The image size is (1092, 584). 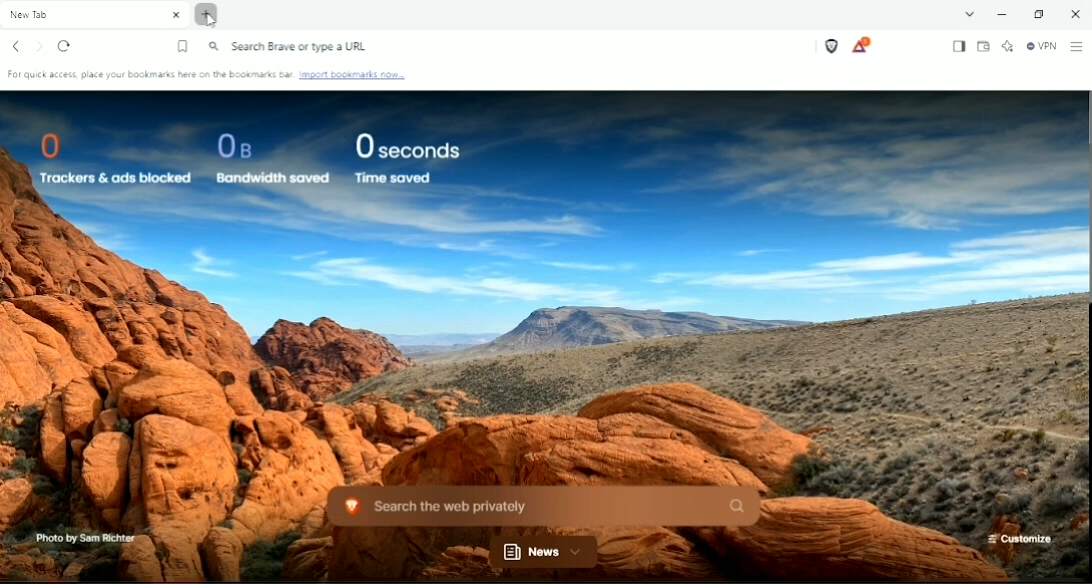 I want to click on Restore down, so click(x=1038, y=14).